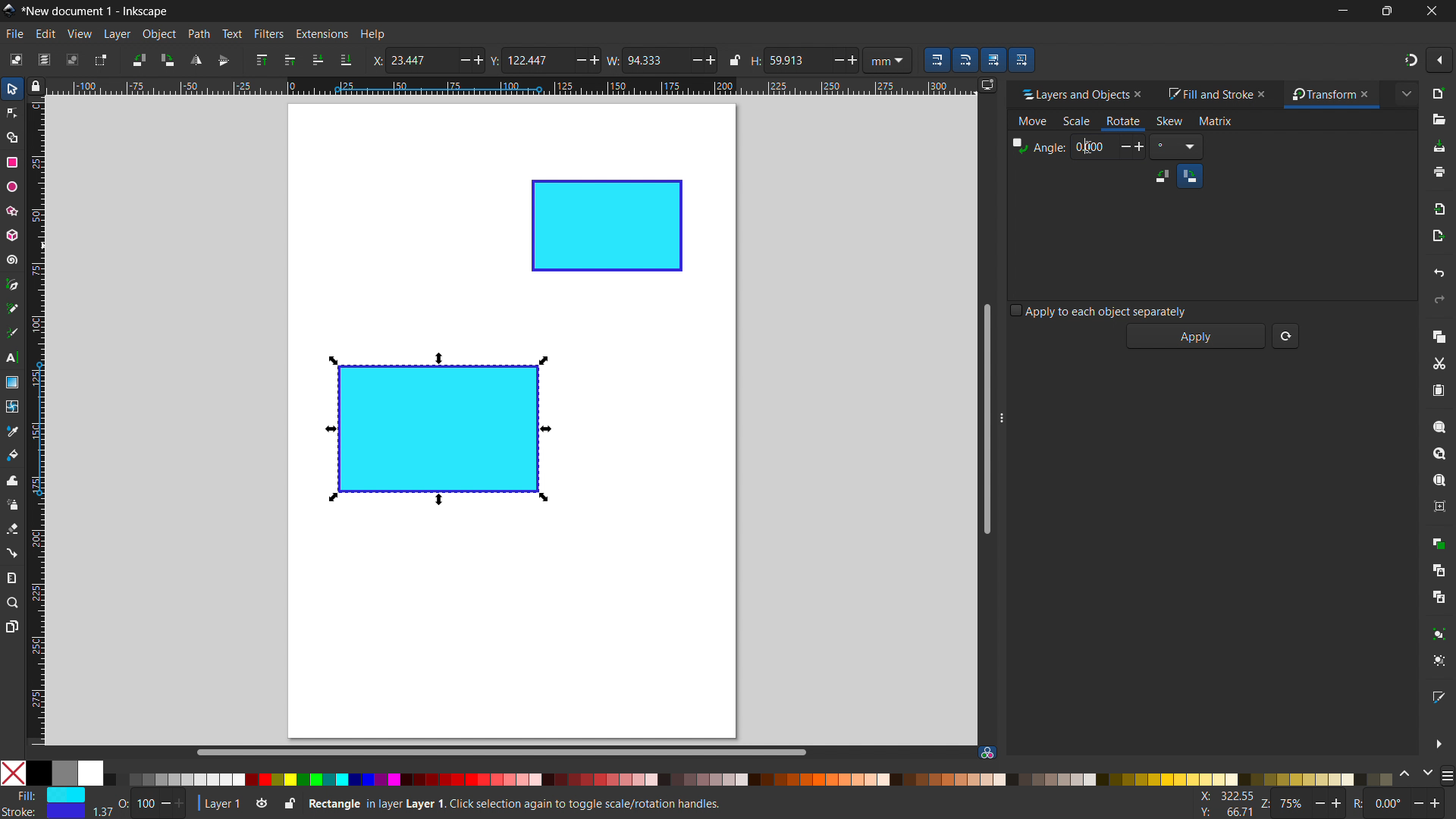 The height and width of the screenshot is (819, 1456). Describe the element at coordinates (1076, 122) in the screenshot. I see `scale` at that location.